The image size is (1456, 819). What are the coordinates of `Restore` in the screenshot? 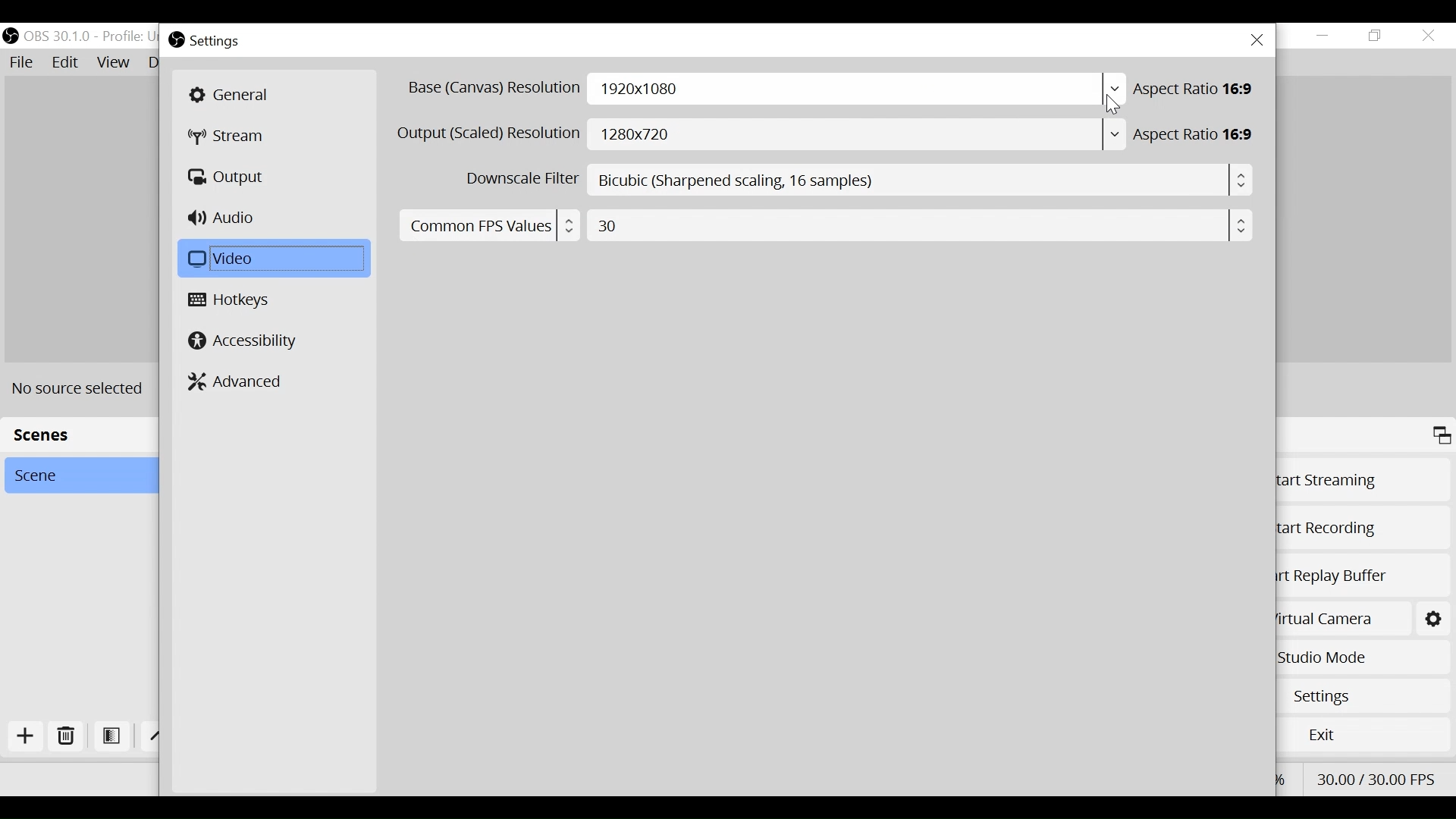 It's located at (1376, 36).